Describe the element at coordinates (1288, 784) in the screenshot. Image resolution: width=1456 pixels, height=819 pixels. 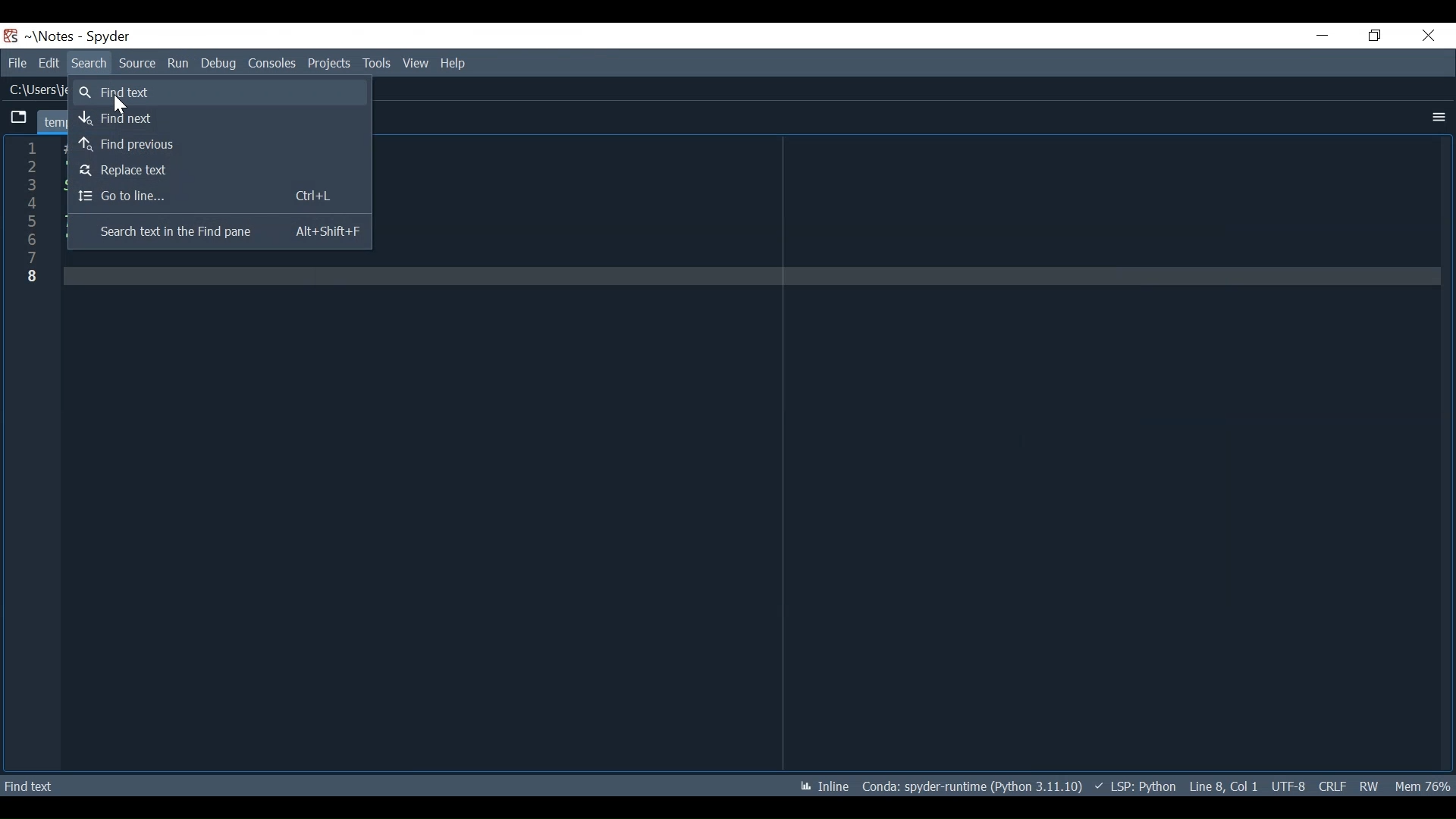
I see `File Encoding` at that location.